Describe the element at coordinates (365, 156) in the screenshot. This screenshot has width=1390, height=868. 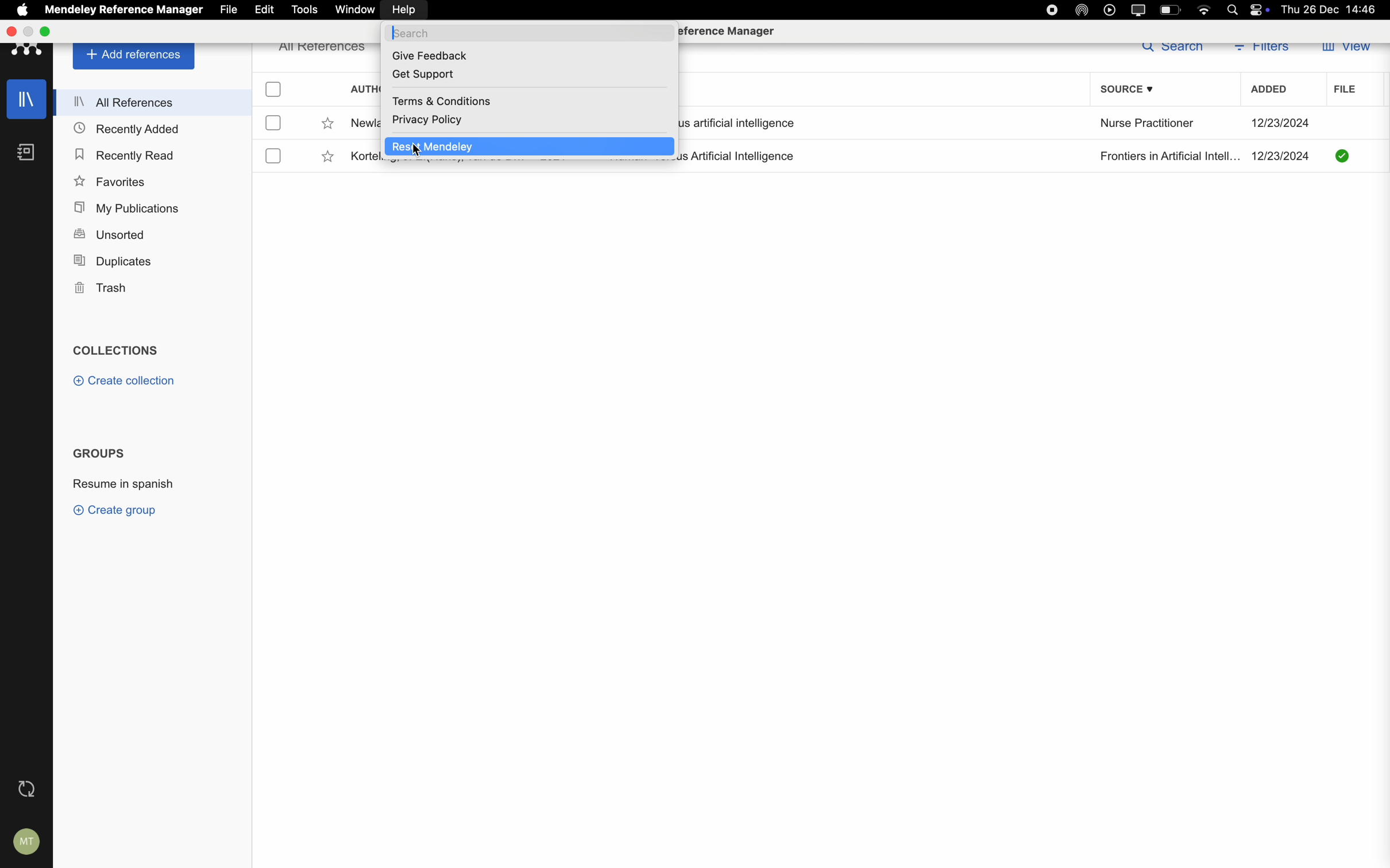
I see `author` at that location.